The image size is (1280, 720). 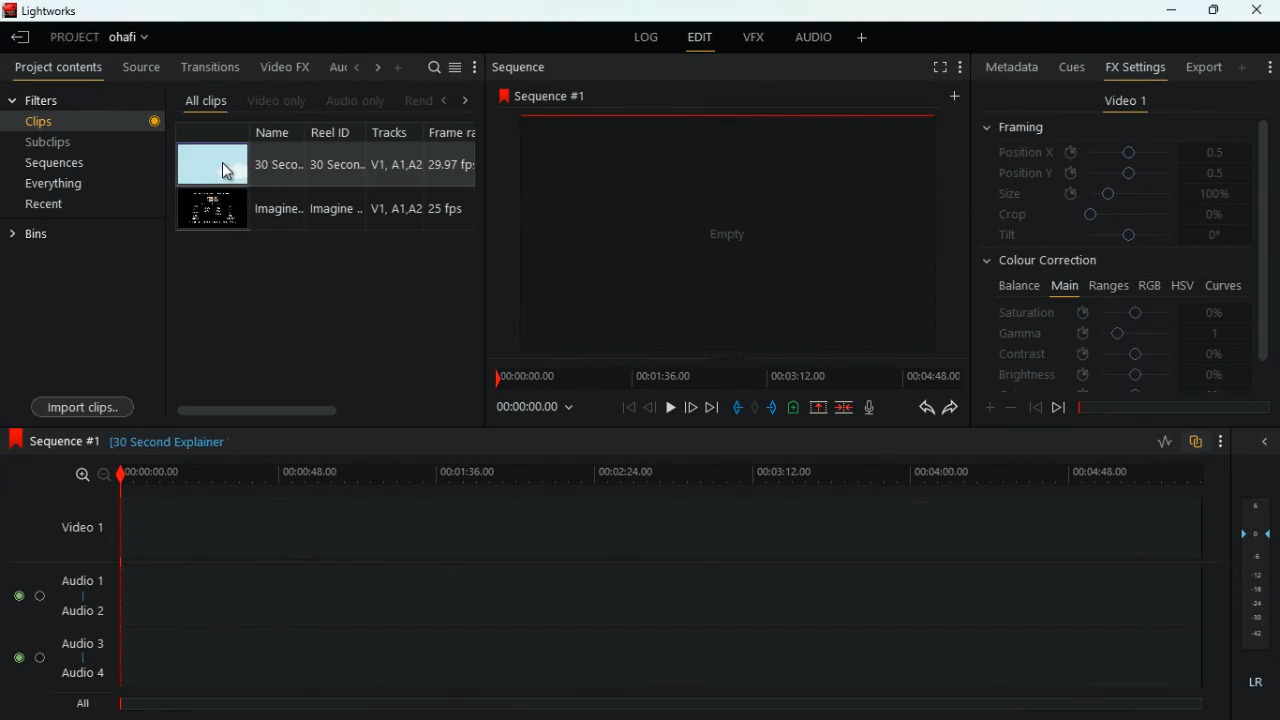 I want to click on edit, so click(x=700, y=39).